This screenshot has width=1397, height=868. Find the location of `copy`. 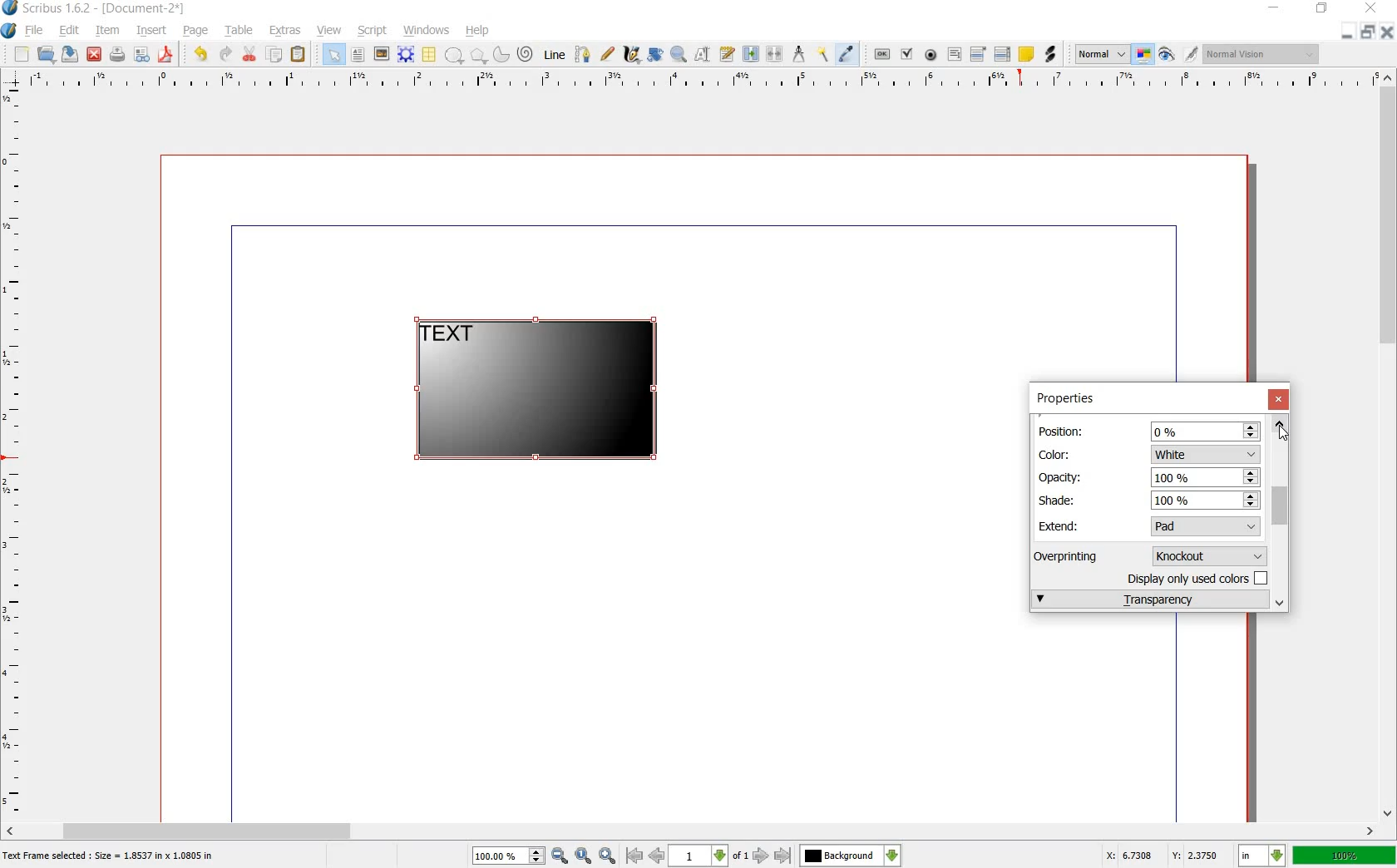

copy is located at coordinates (275, 55).